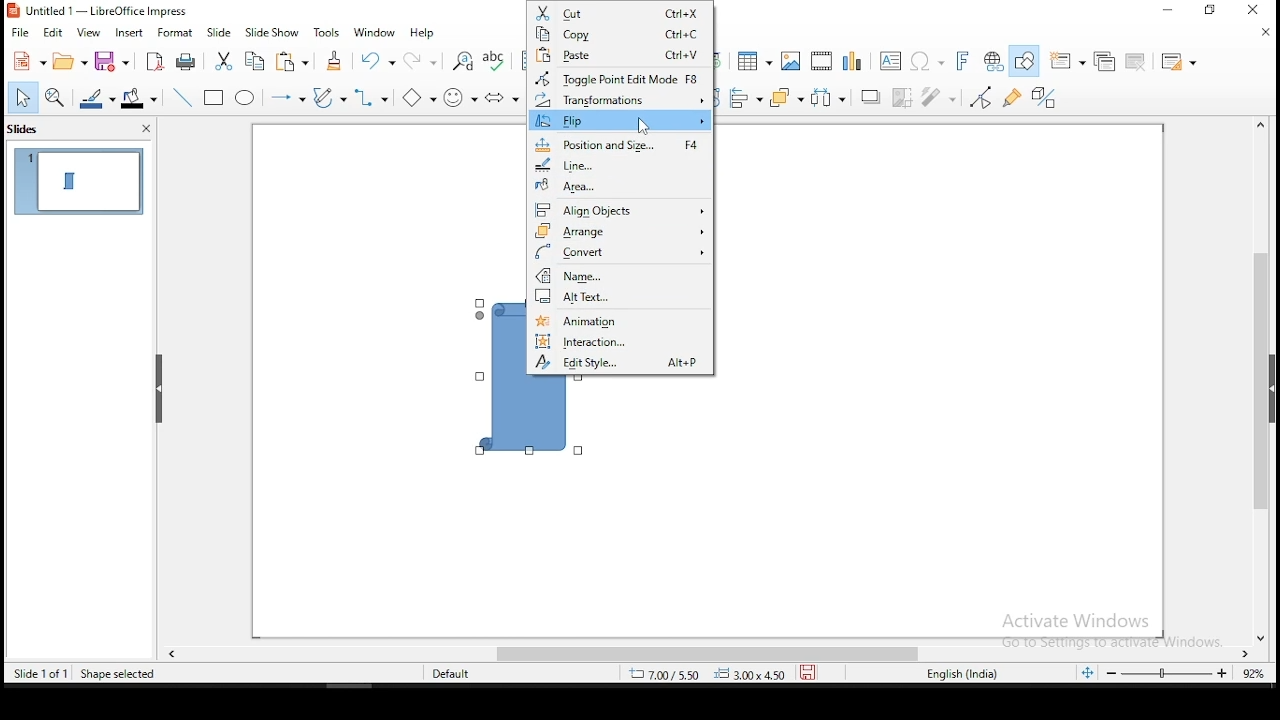 This screenshot has width=1280, height=720. What do you see at coordinates (23, 97) in the screenshot?
I see `select tool` at bounding box center [23, 97].